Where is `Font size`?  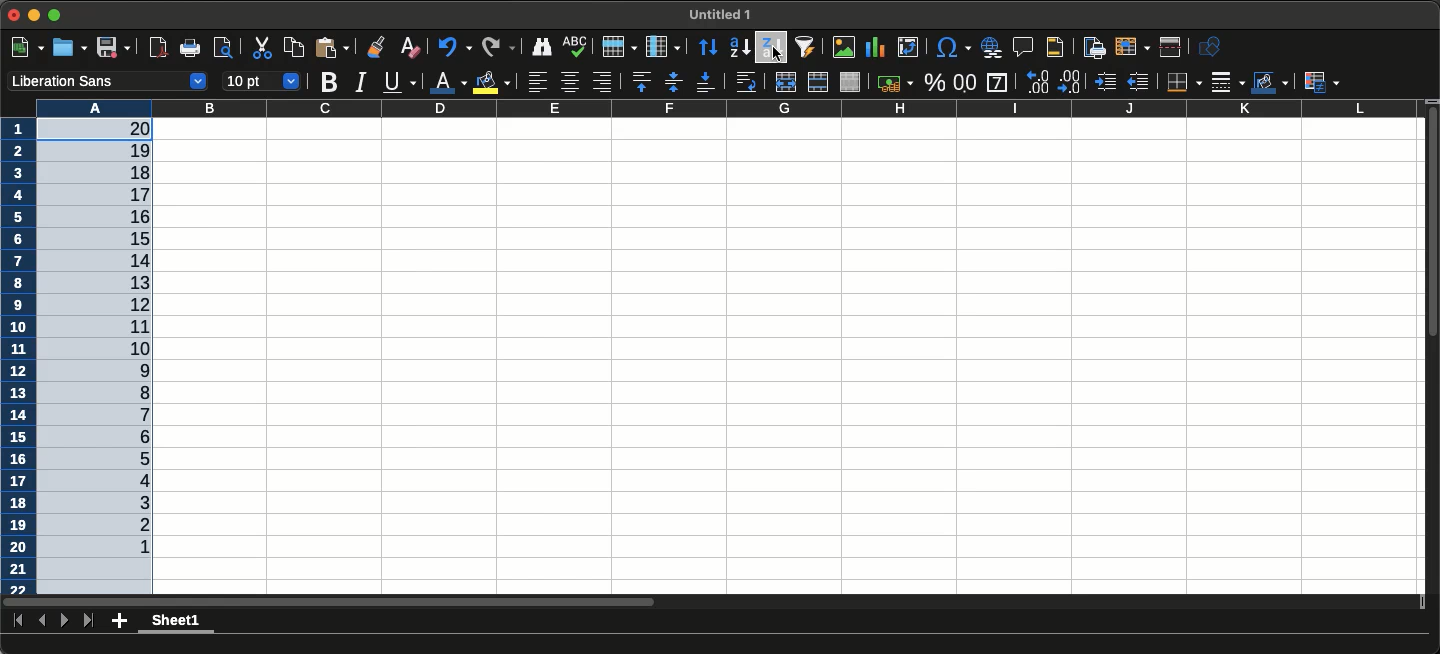 Font size is located at coordinates (261, 82).